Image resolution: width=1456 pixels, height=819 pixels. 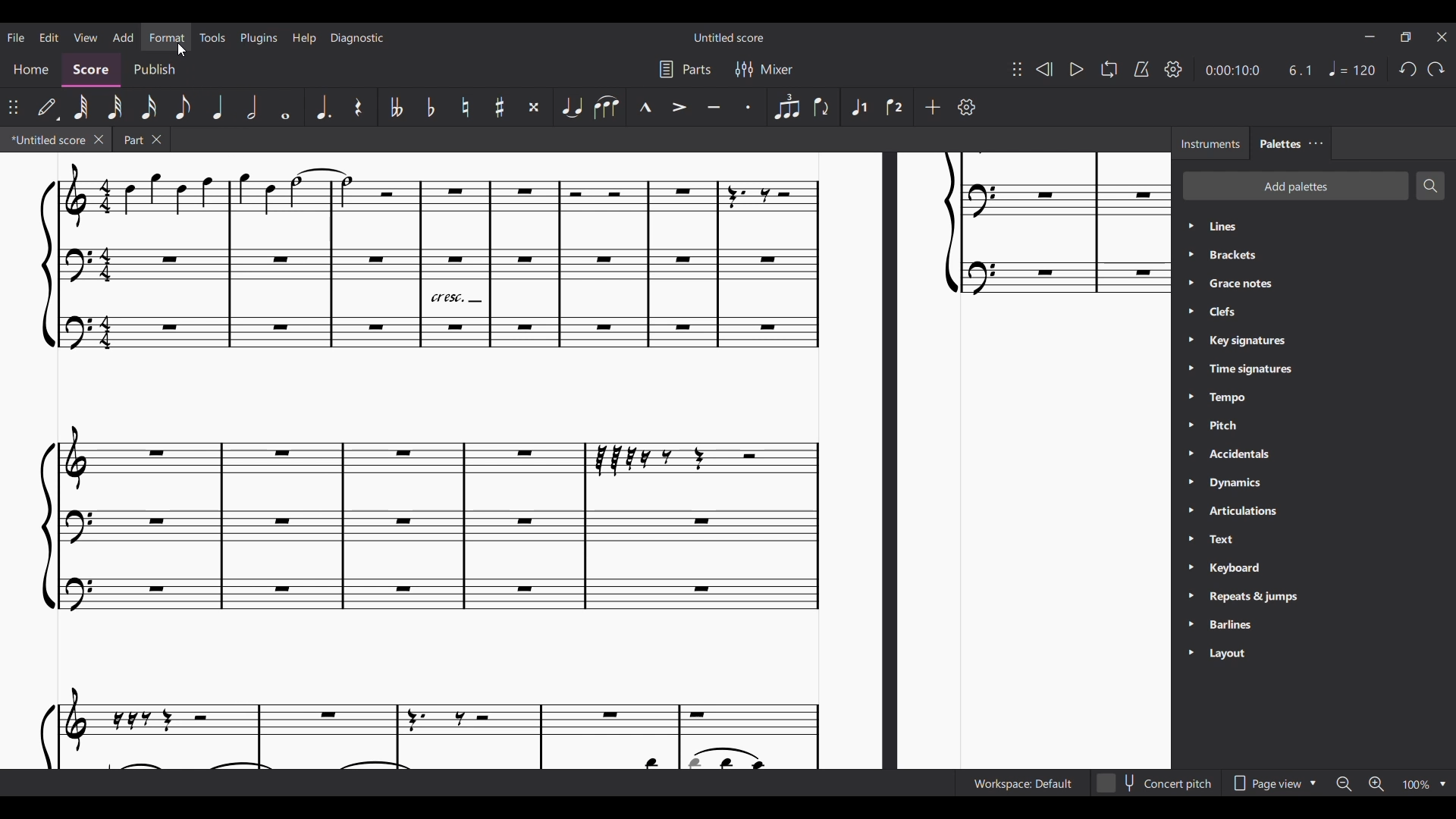 What do you see at coordinates (714, 107) in the screenshot?
I see `Tenuto` at bounding box center [714, 107].